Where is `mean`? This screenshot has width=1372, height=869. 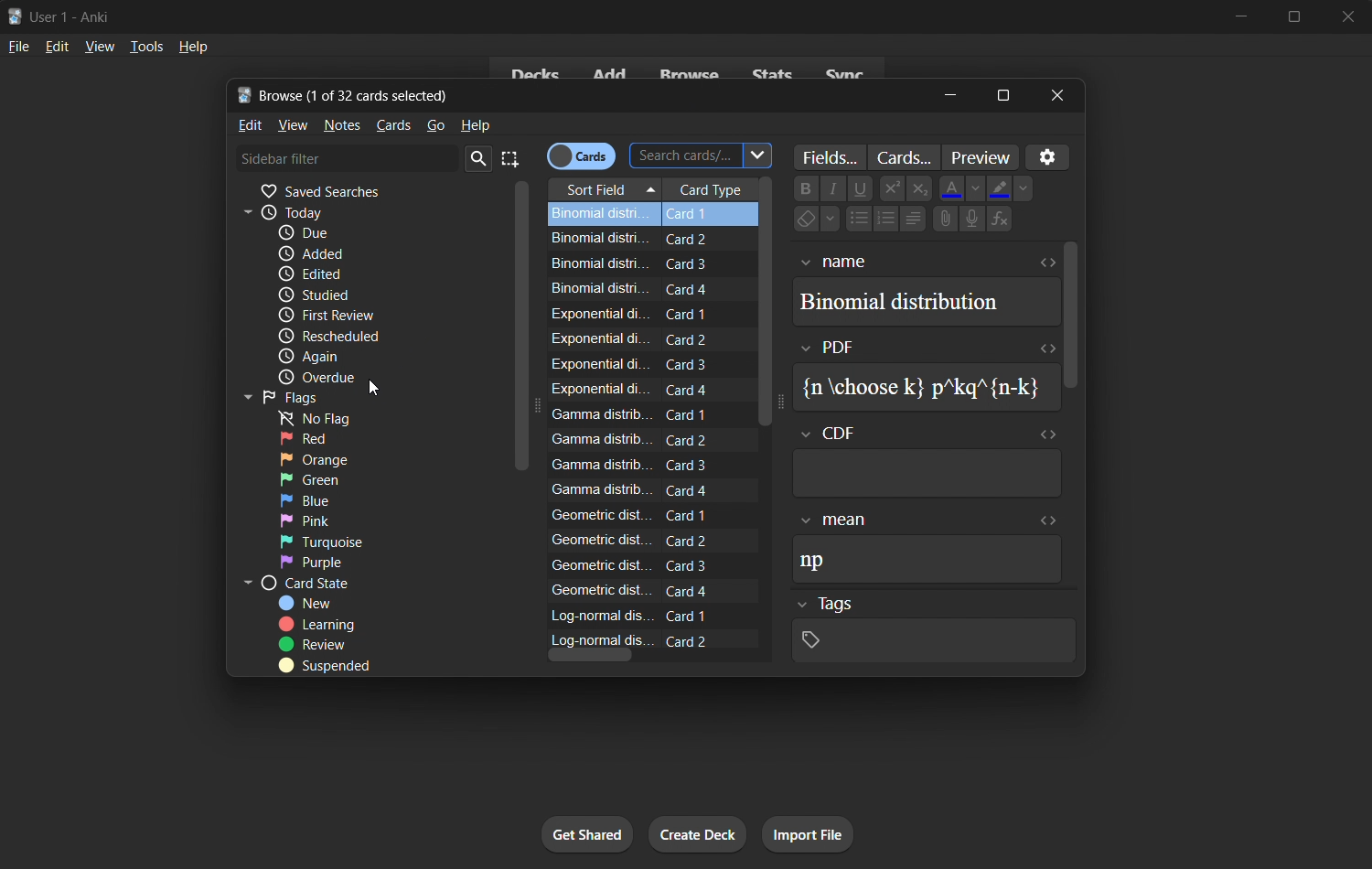 mean is located at coordinates (866, 519).